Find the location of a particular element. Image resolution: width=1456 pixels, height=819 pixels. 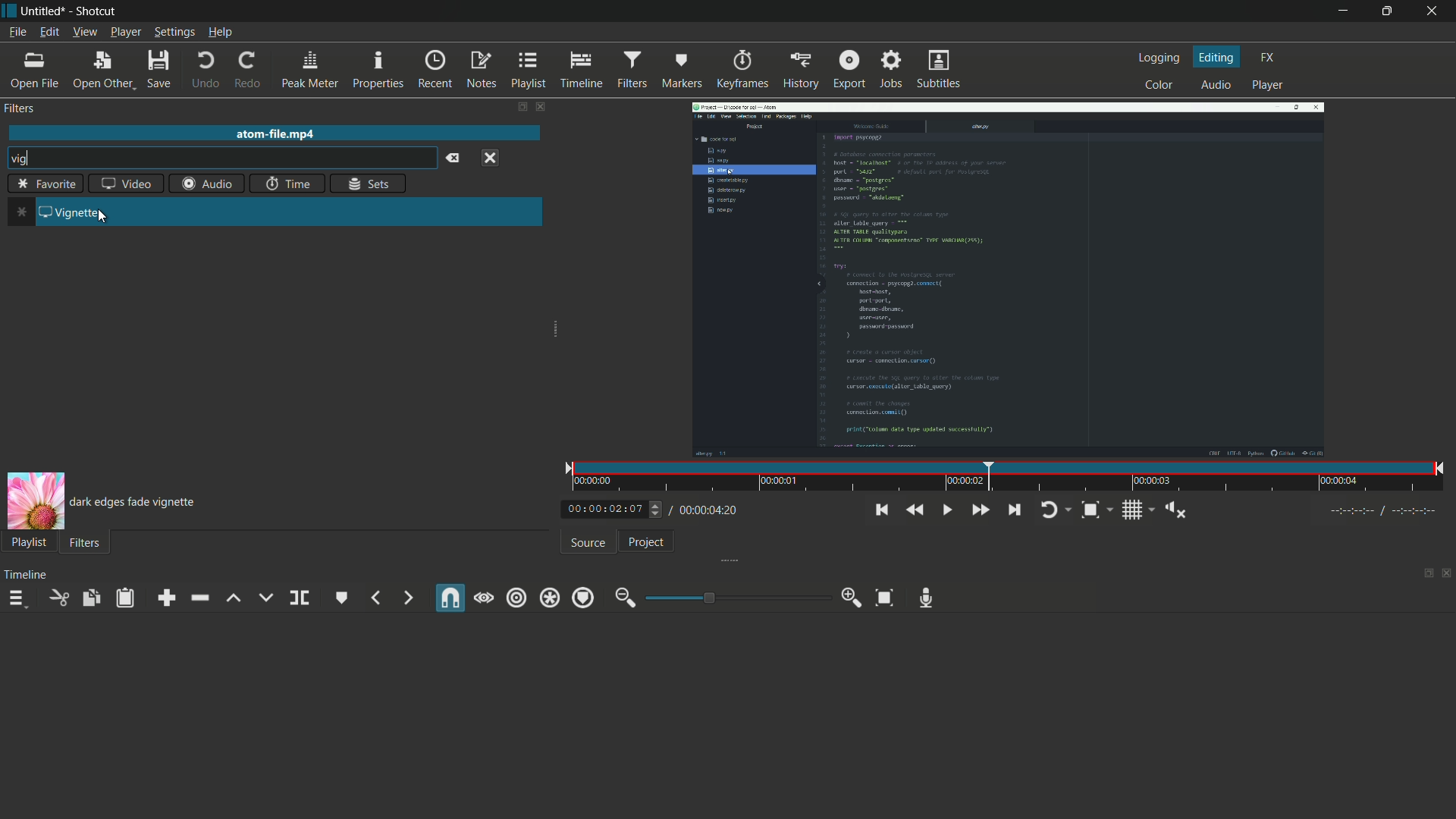

quickly play forward is located at coordinates (981, 510).